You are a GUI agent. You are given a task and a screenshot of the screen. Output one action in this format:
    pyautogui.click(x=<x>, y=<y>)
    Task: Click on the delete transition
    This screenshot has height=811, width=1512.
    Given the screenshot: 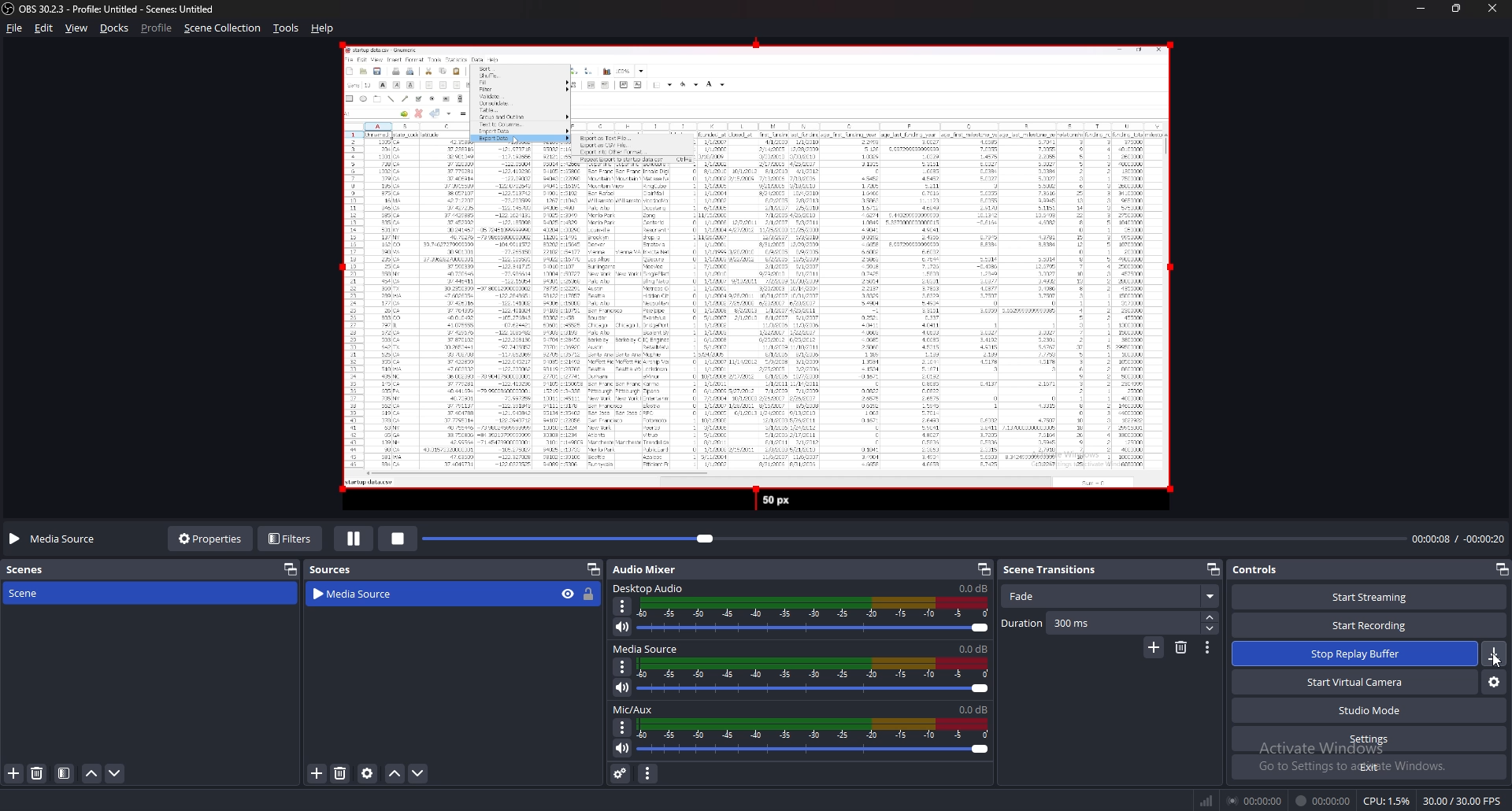 What is the action you would take?
    pyautogui.click(x=1181, y=648)
    